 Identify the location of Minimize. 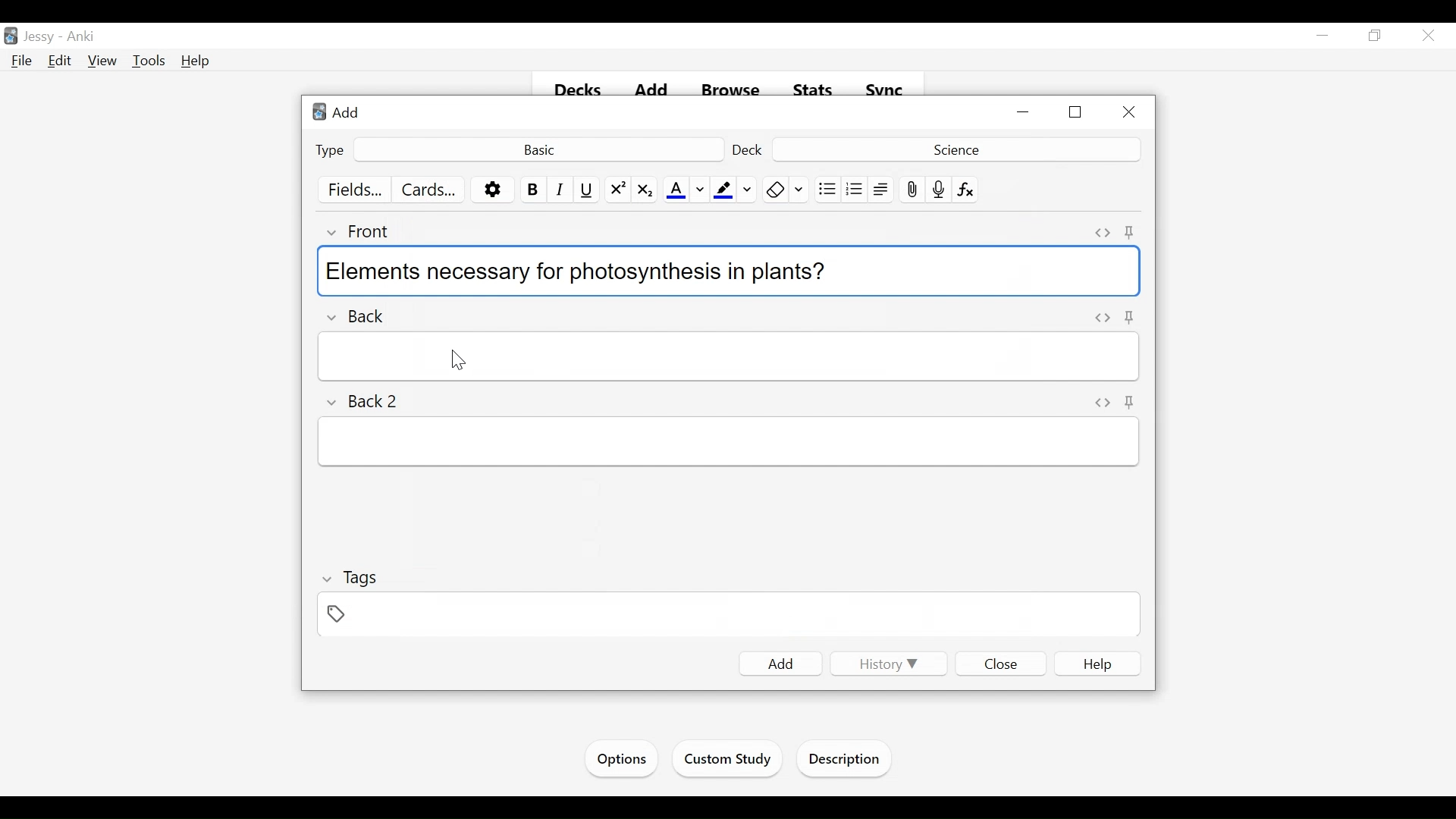
(1025, 113).